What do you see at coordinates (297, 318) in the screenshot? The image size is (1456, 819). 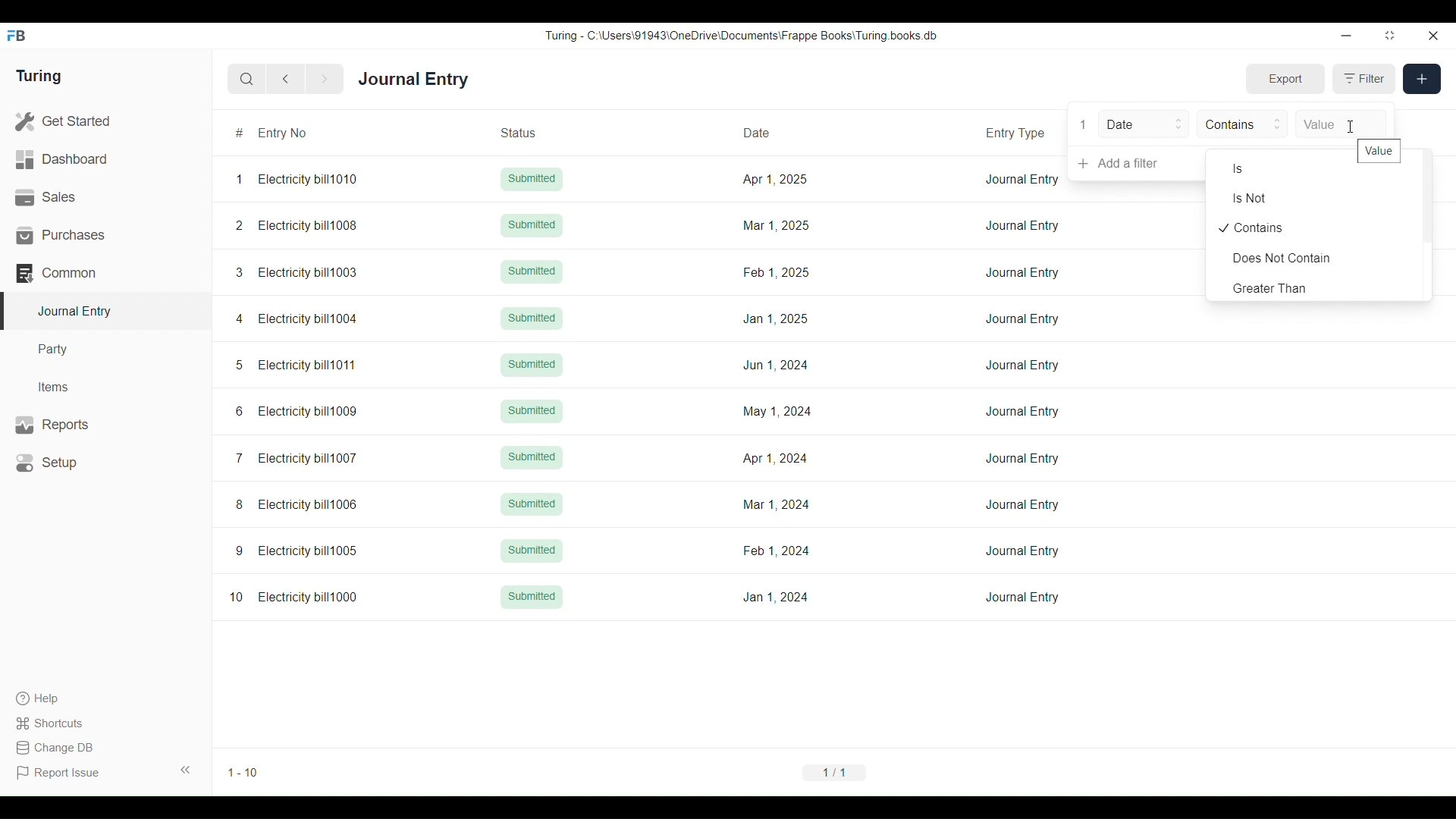 I see `4 Electricity bill1004` at bounding box center [297, 318].